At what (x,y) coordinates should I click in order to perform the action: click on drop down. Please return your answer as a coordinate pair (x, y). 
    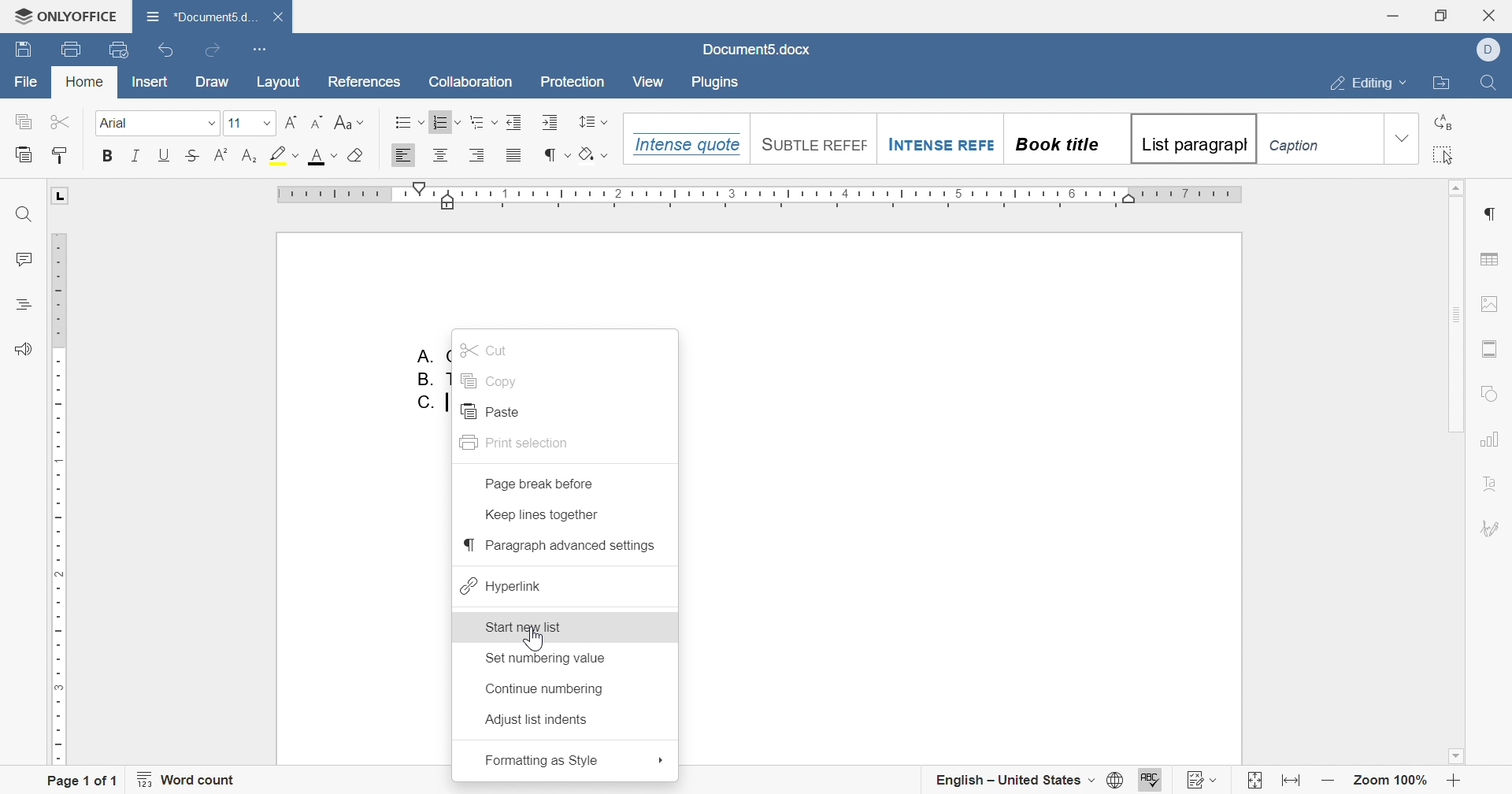
    Looking at the image, I should click on (210, 124).